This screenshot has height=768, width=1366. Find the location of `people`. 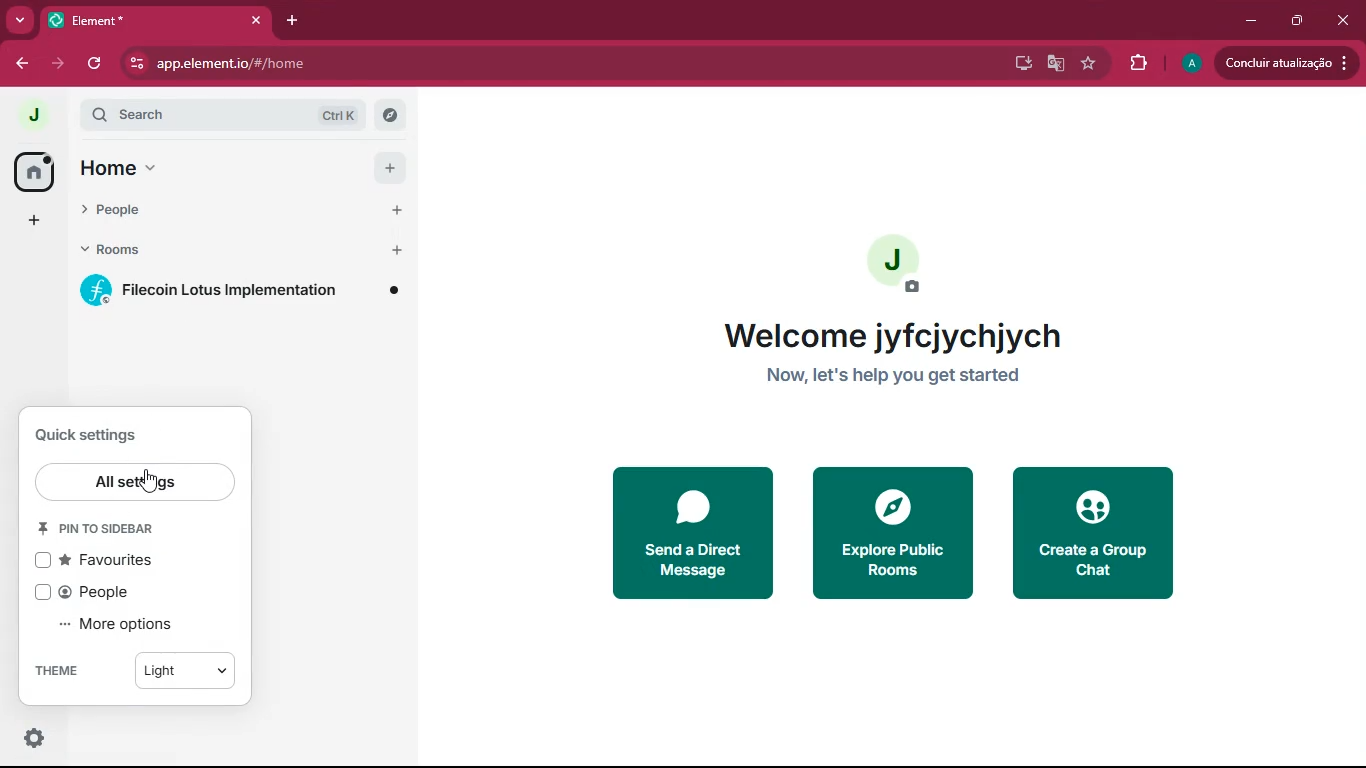

people is located at coordinates (198, 219).